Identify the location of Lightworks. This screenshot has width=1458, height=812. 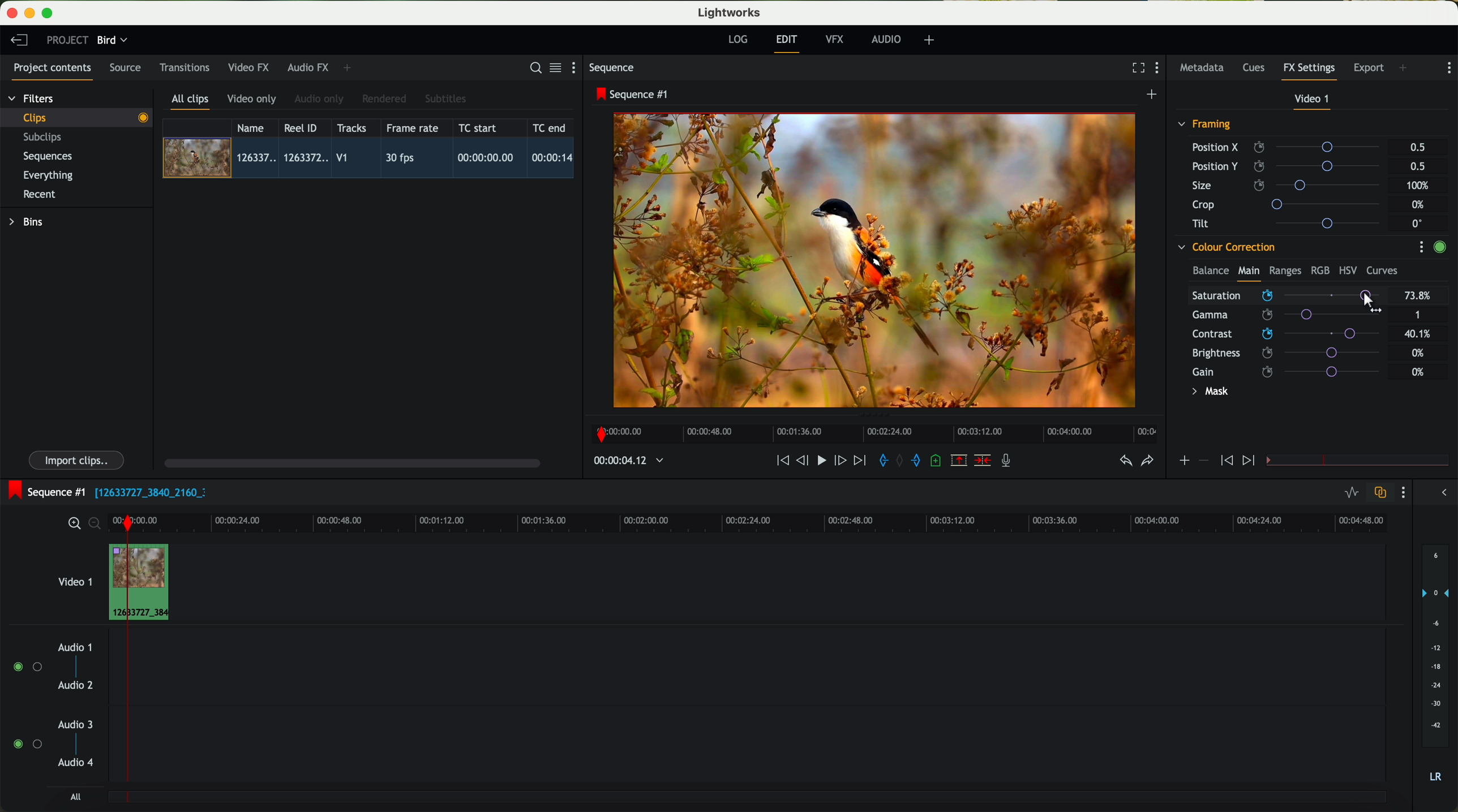
(730, 12).